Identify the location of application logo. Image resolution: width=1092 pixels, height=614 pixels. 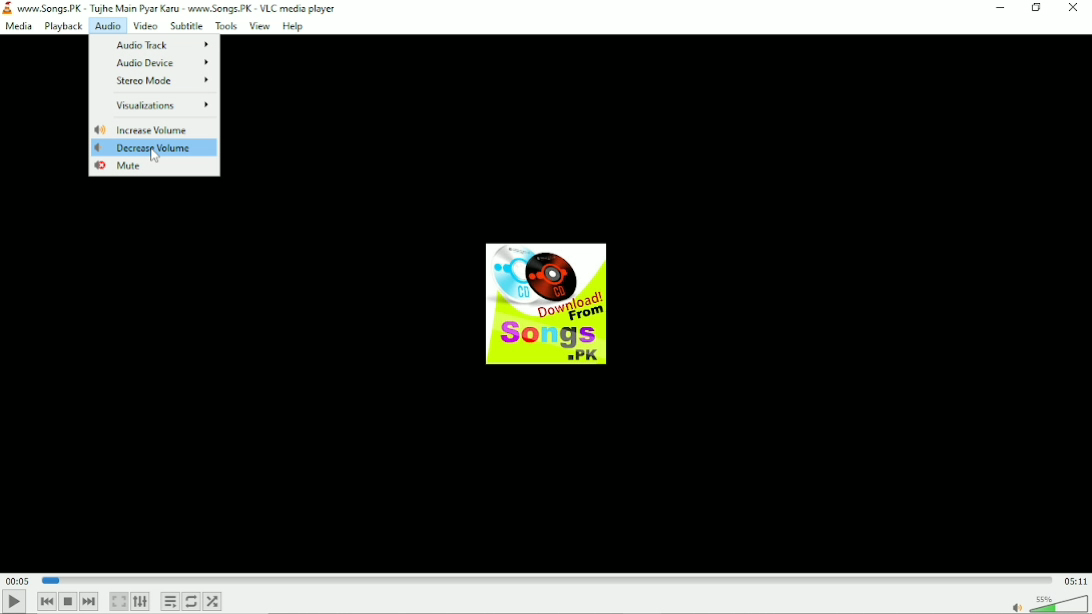
(8, 9).